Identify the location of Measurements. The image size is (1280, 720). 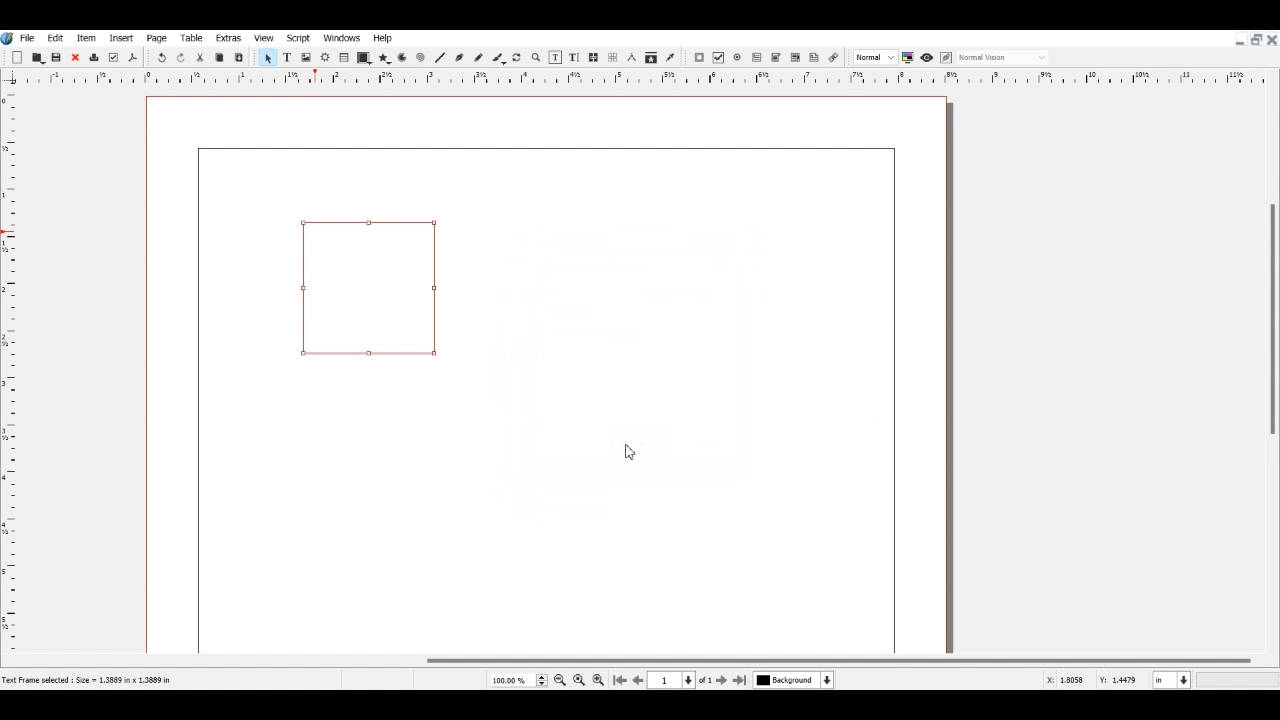
(631, 58).